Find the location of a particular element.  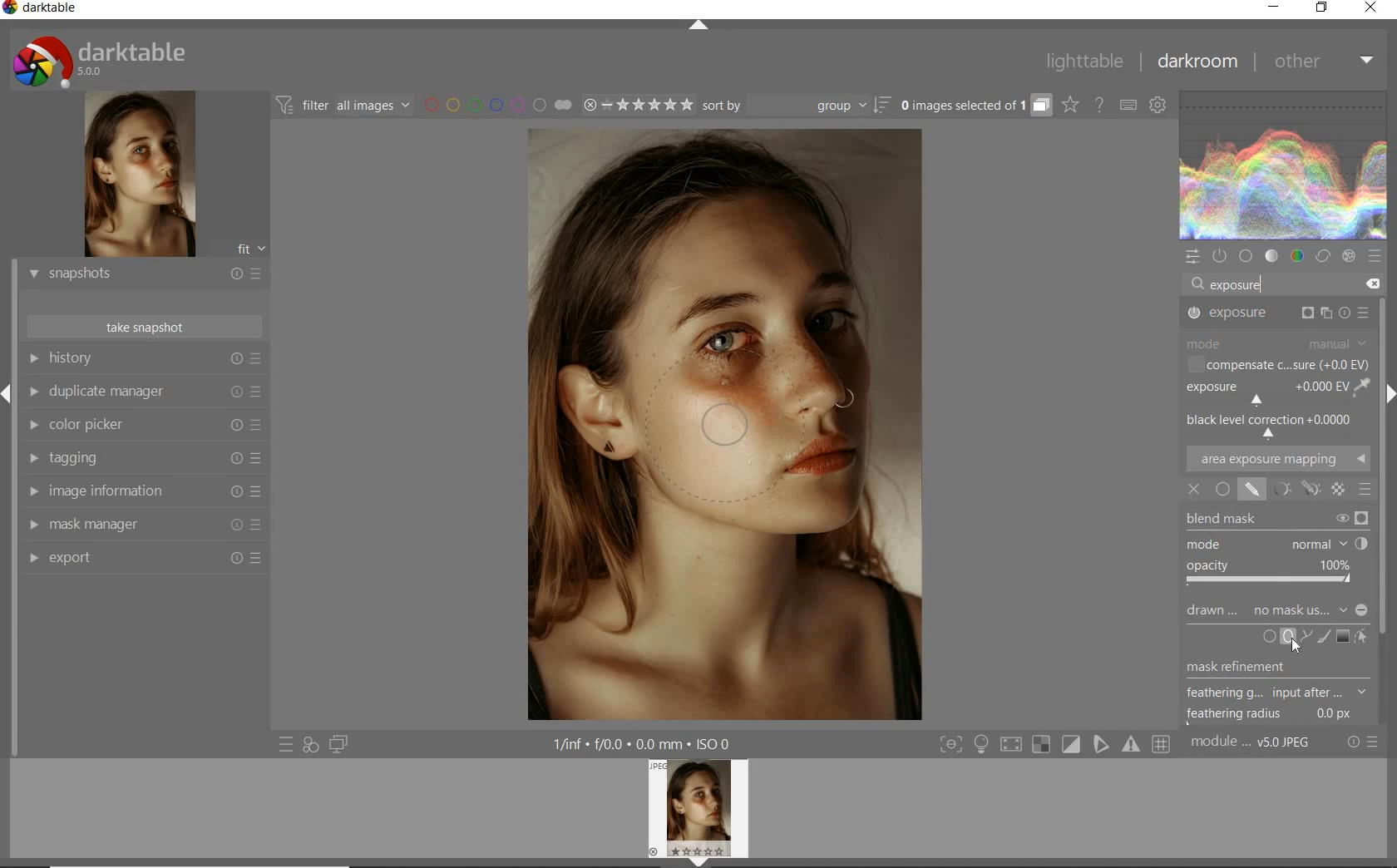

WAVEFORM is located at coordinates (1283, 165).